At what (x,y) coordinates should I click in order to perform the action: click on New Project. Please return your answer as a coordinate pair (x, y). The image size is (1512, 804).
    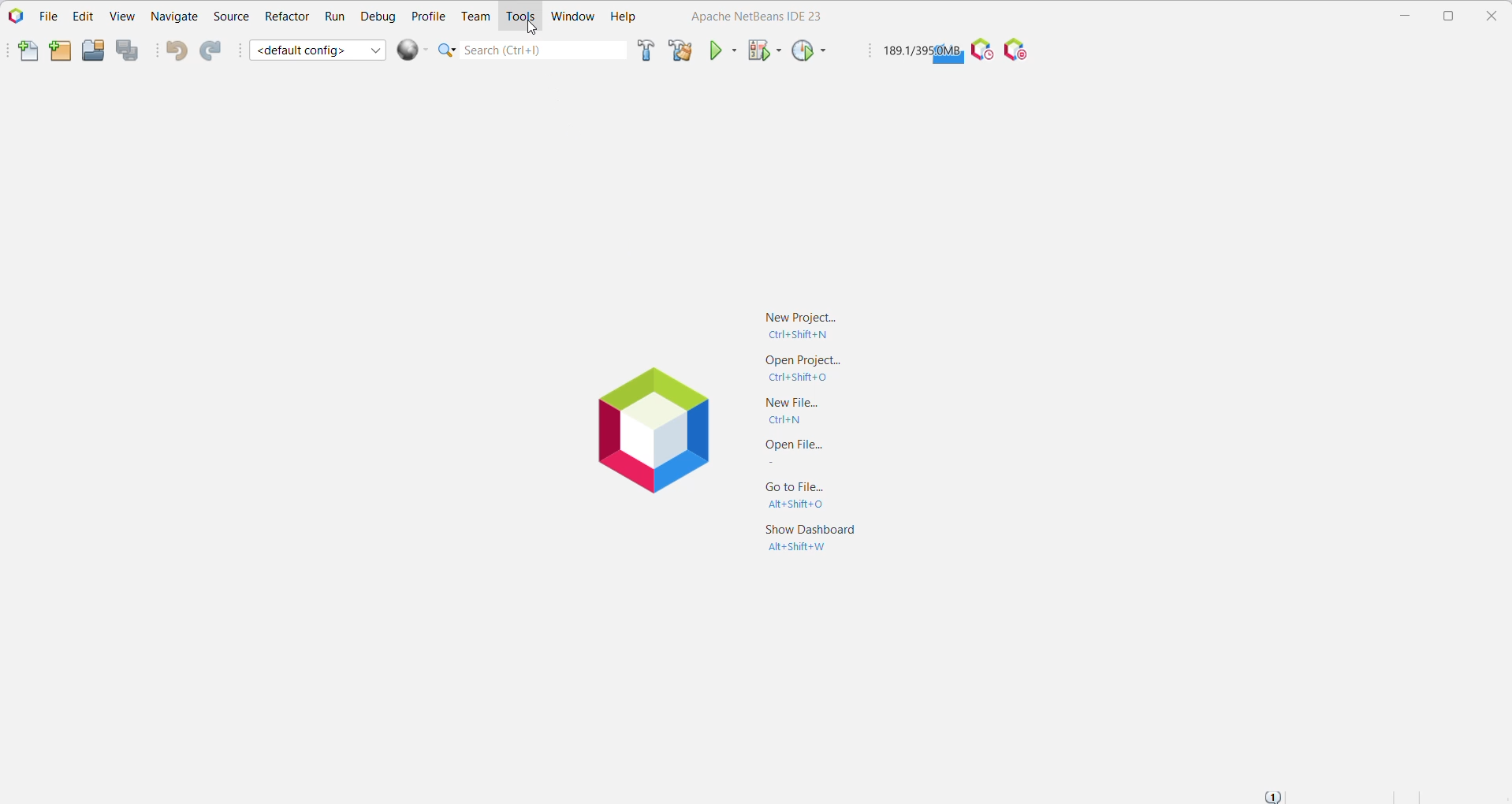
    Looking at the image, I should click on (800, 323).